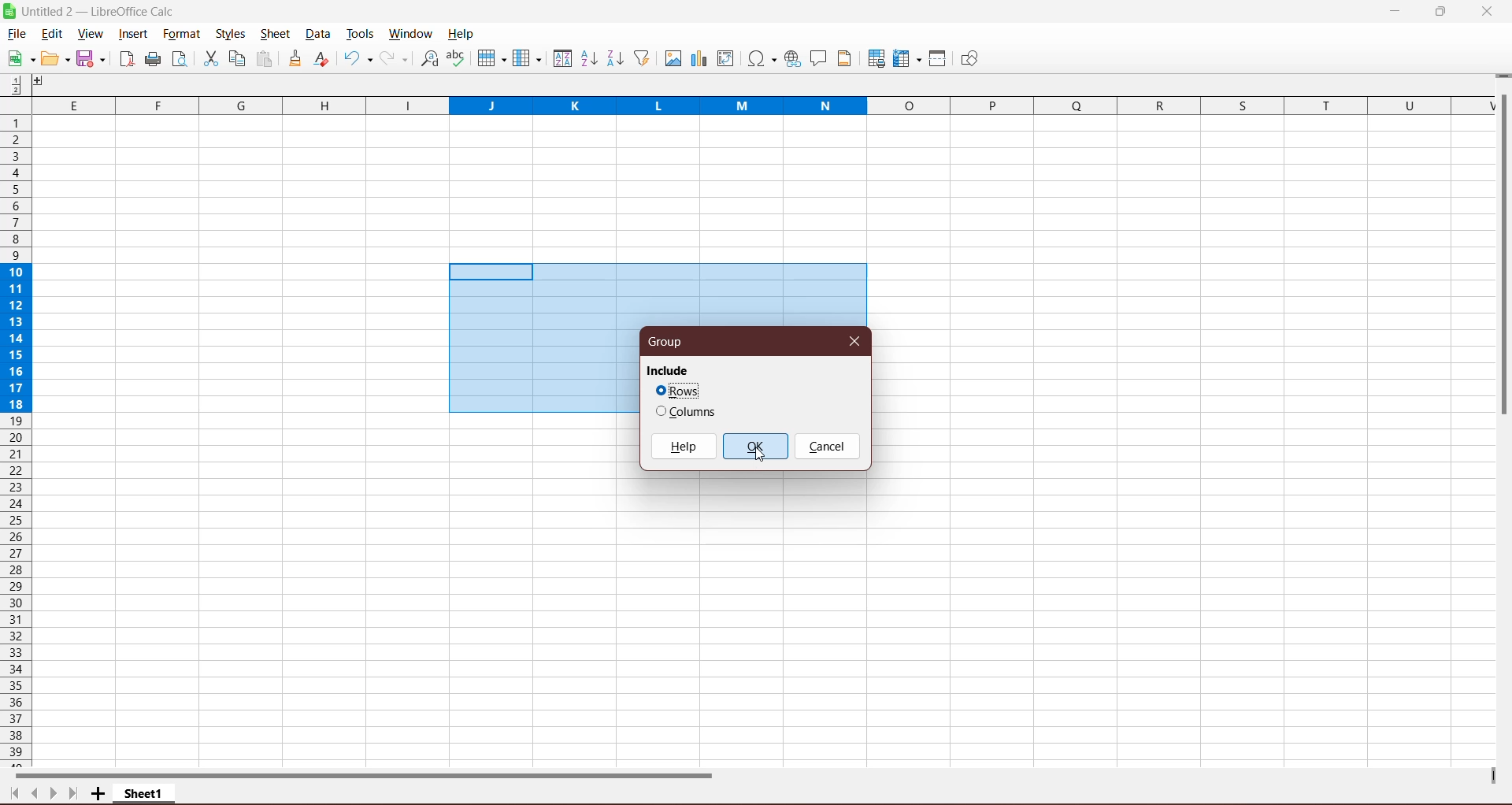 Image resolution: width=1512 pixels, height=805 pixels. What do you see at coordinates (32, 793) in the screenshot?
I see `Scroll to previous page` at bounding box center [32, 793].